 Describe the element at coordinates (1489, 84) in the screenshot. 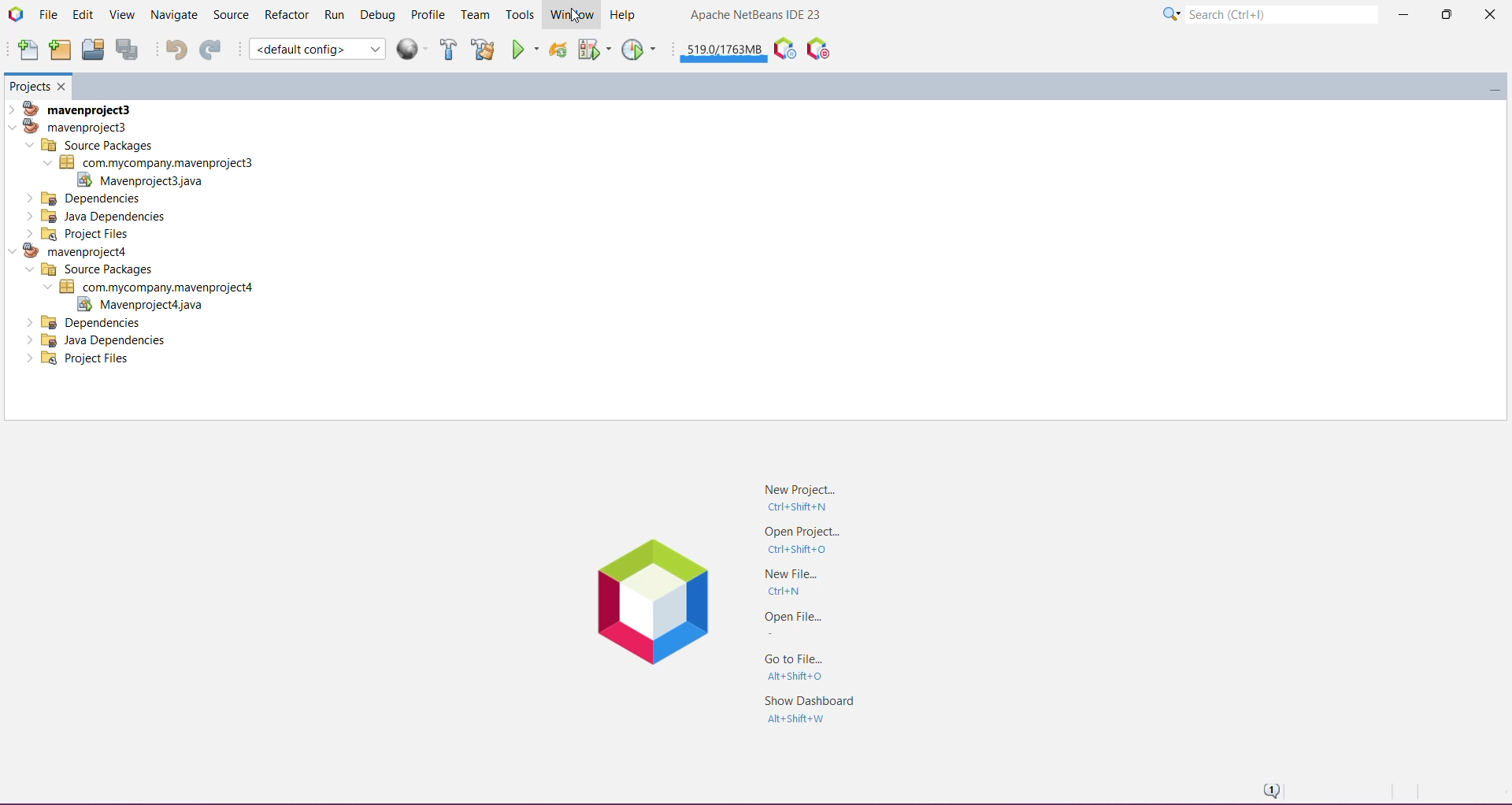

I see `minimize` at that location.